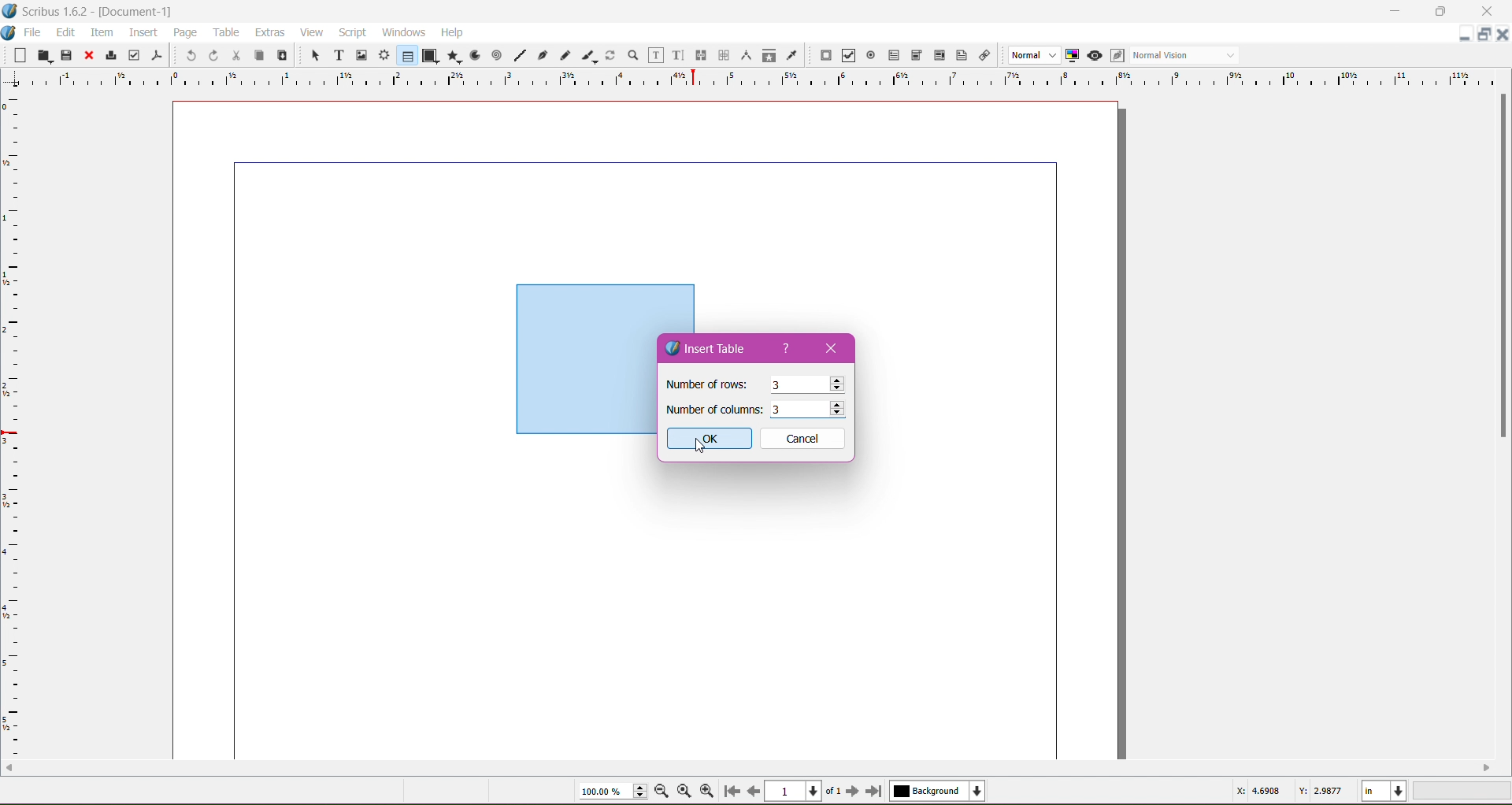  What do you see at coordinates (791, 55) in the screenshot?
I see `Eye Dropper` at bounding box center [791, 55].